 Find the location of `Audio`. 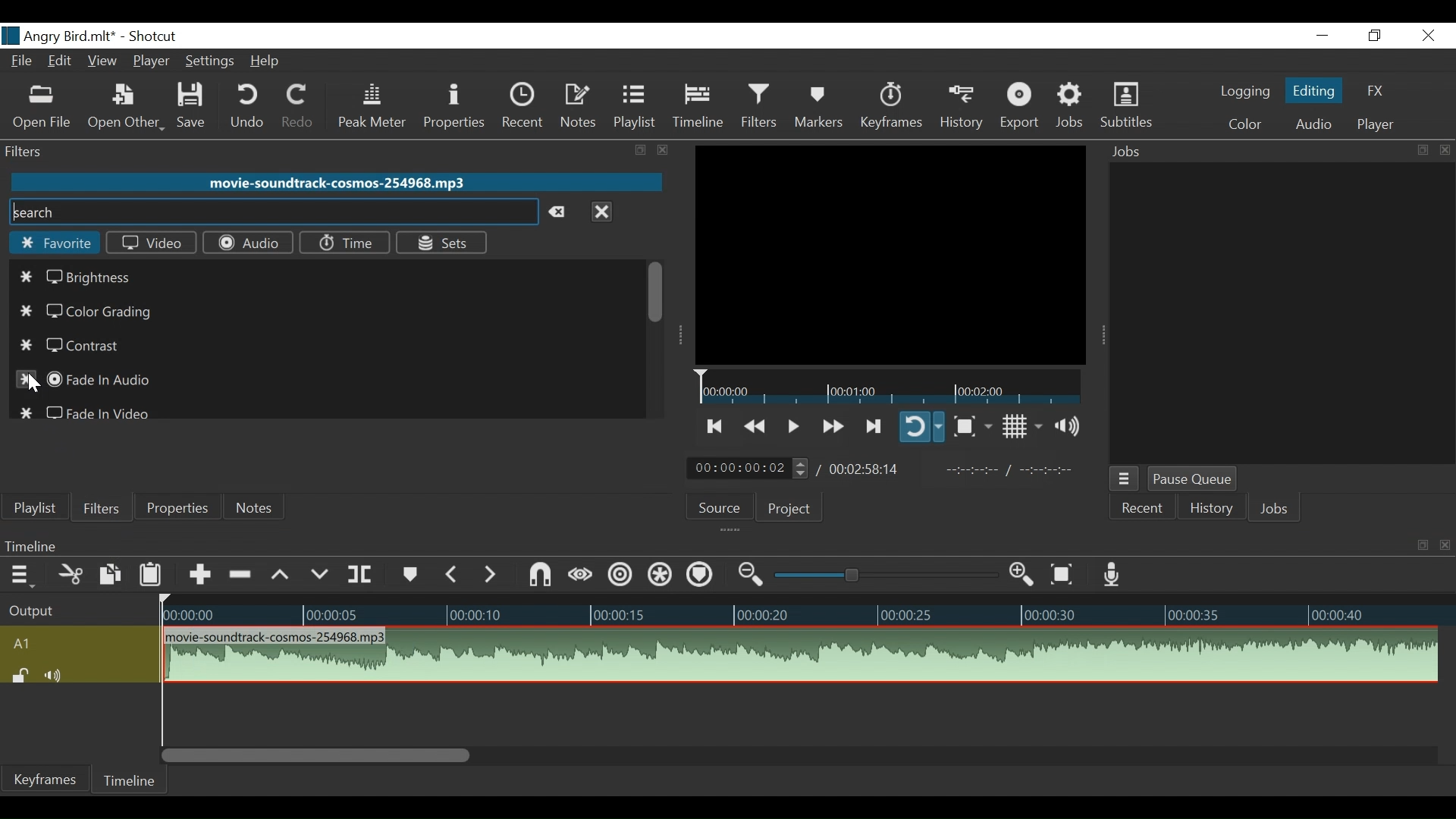

Audio is located at coordinates (247, 242).